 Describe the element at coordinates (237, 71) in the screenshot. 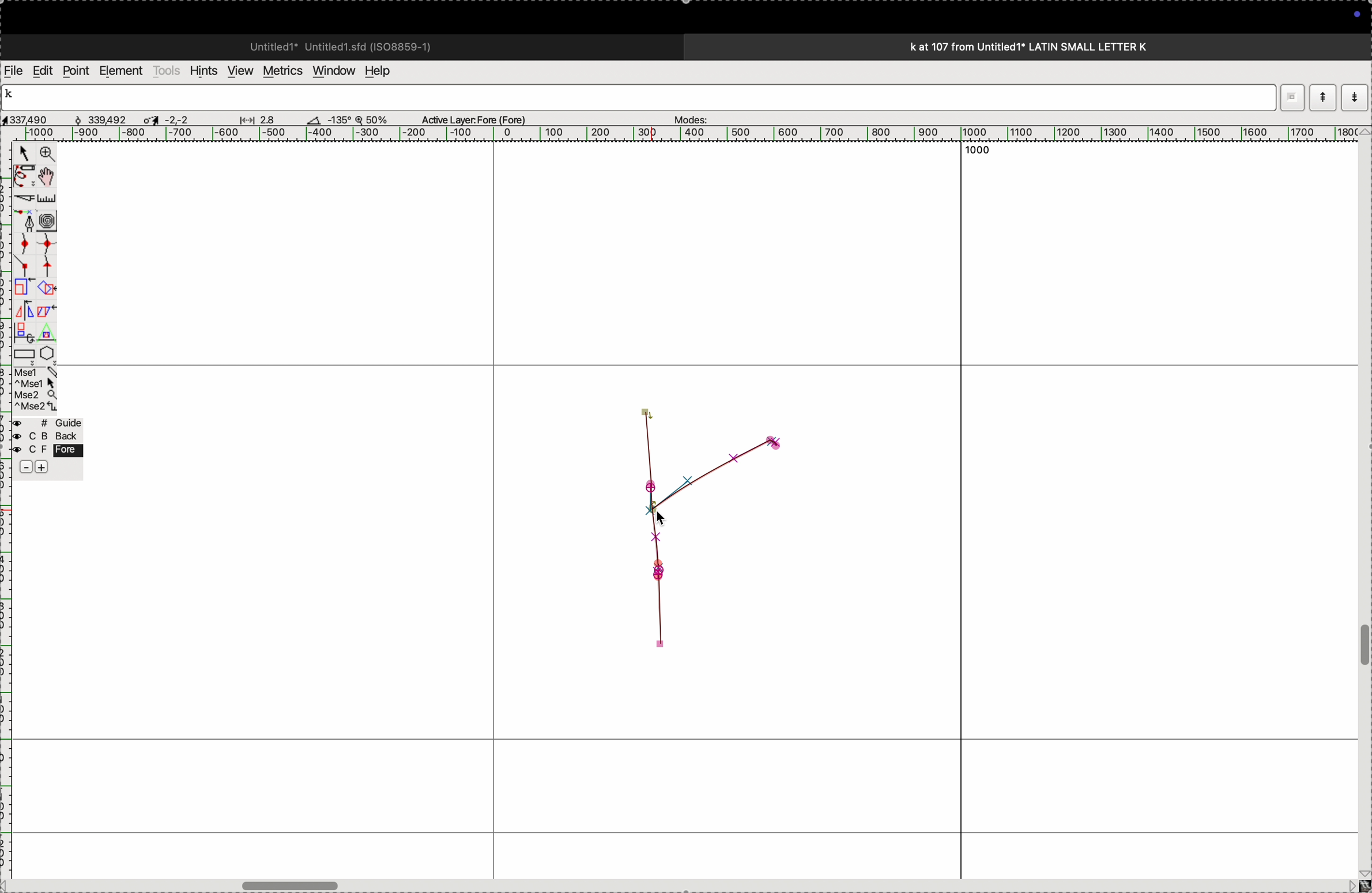

I see `view` at that location.